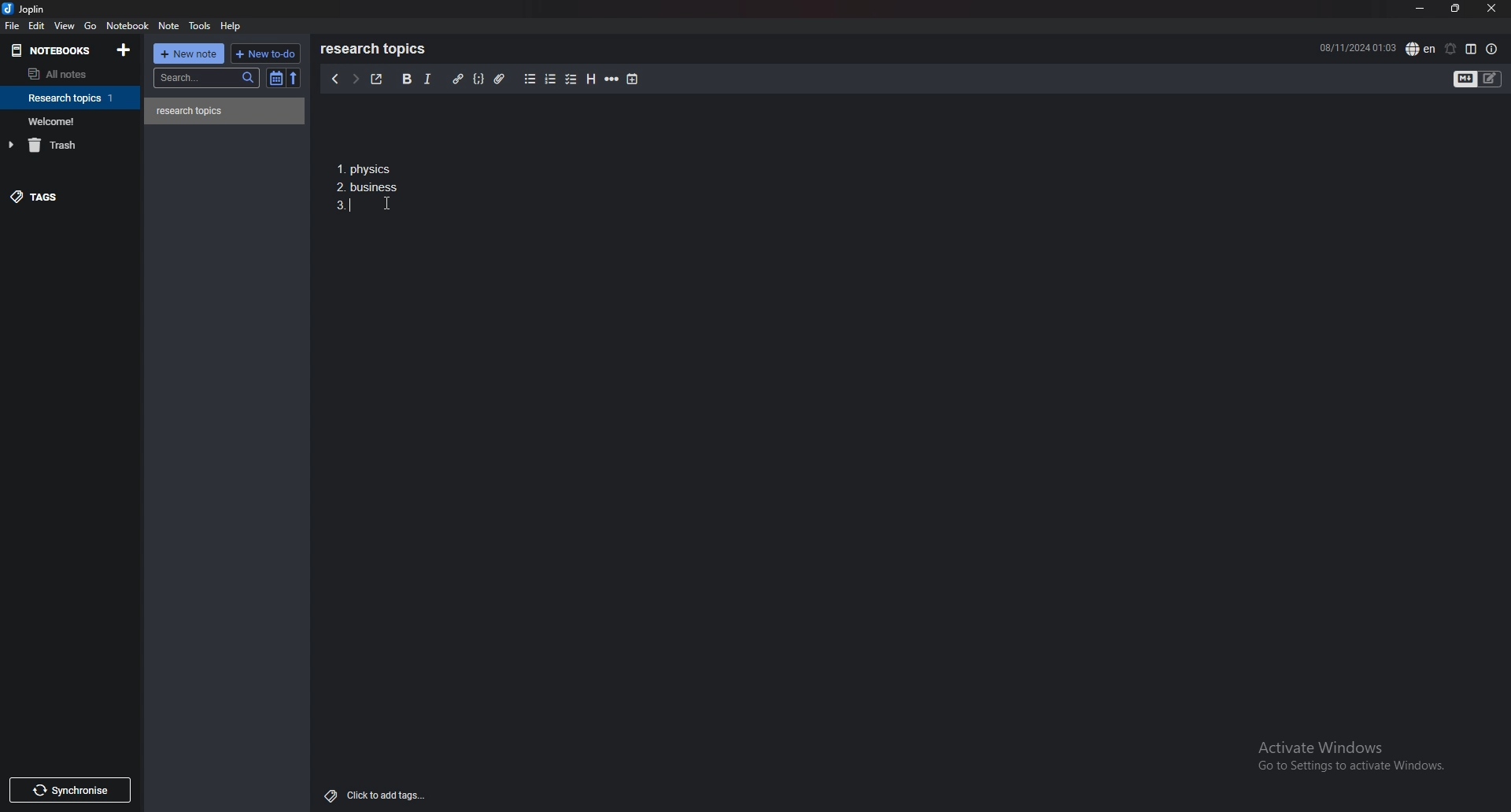  Describe the element at coordinates (1419, 9) in the screenshot. I see `minimize` at that location.